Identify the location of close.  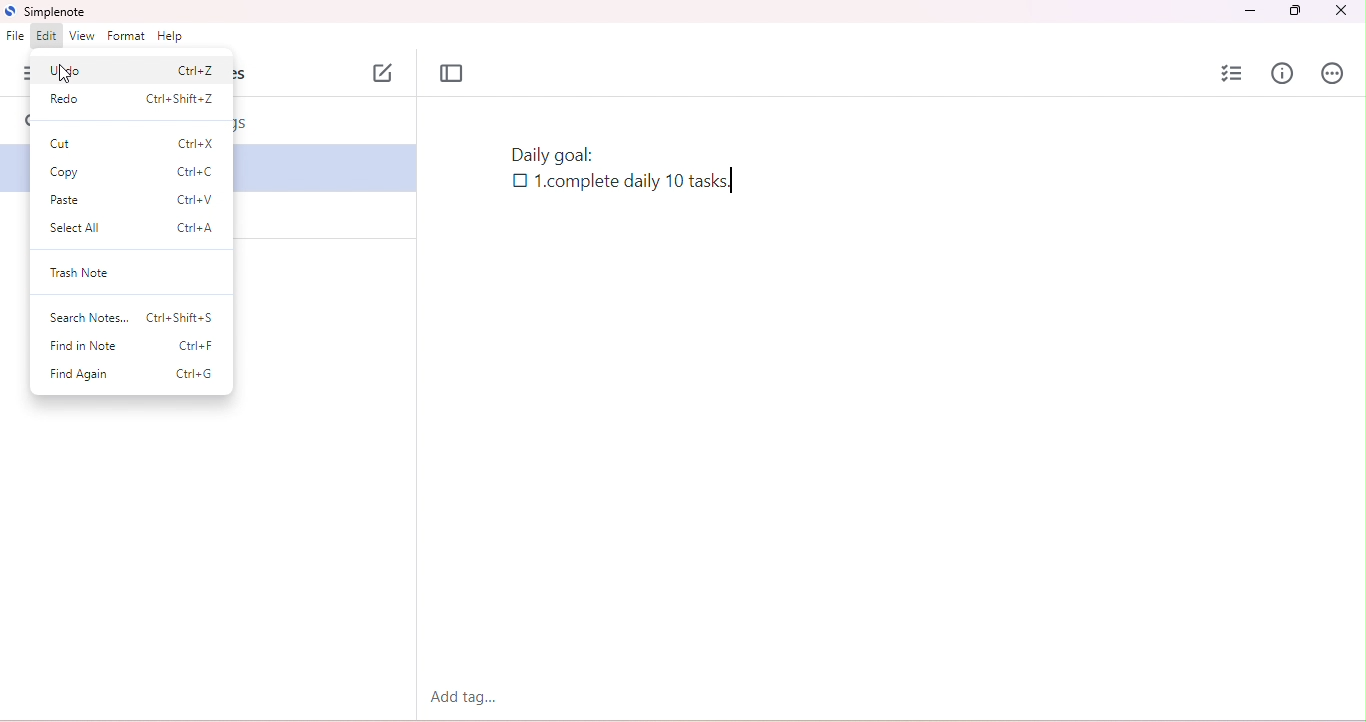
(1340, 10).